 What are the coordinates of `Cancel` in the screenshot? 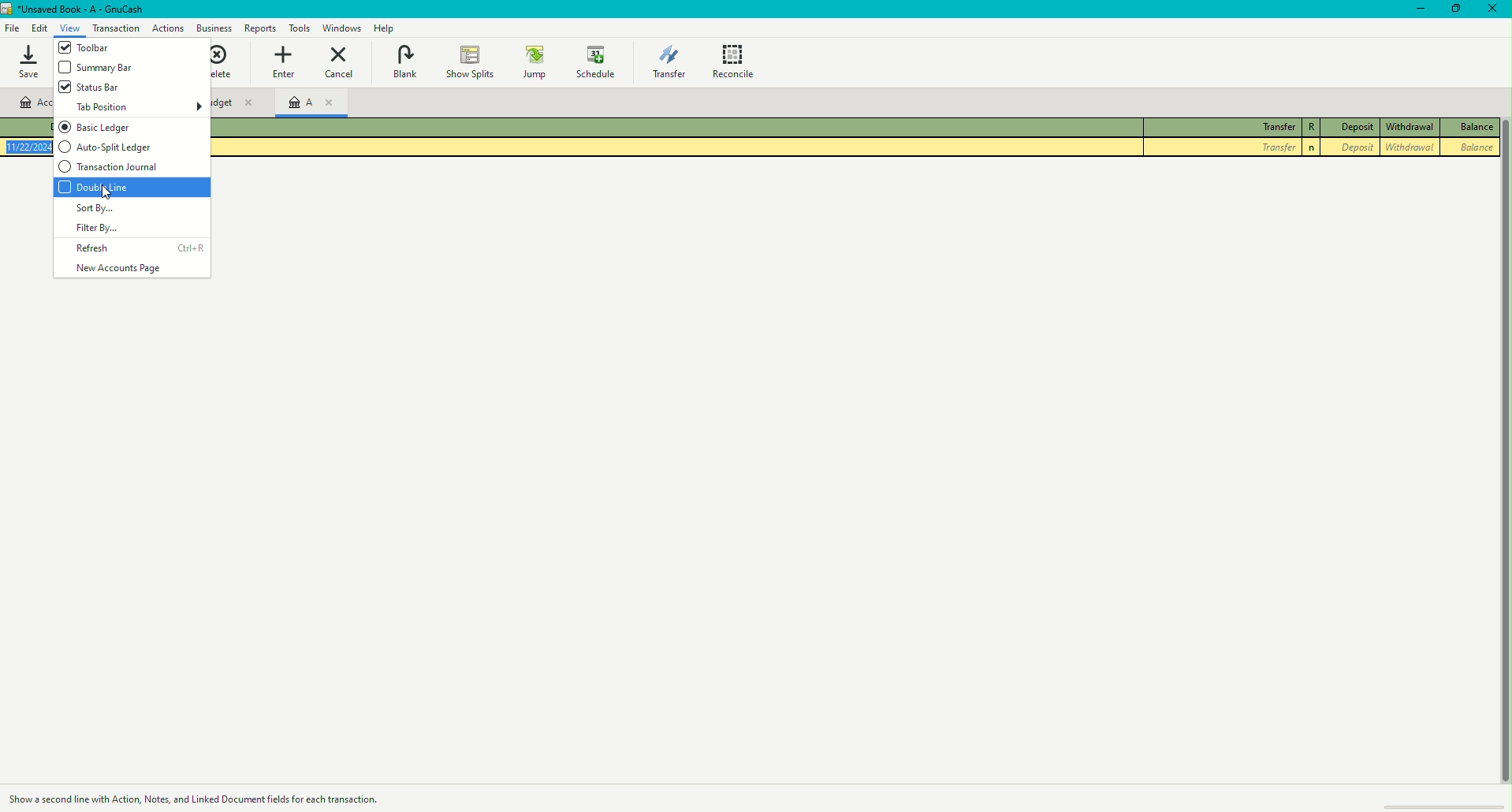 It's located at (337, 61).